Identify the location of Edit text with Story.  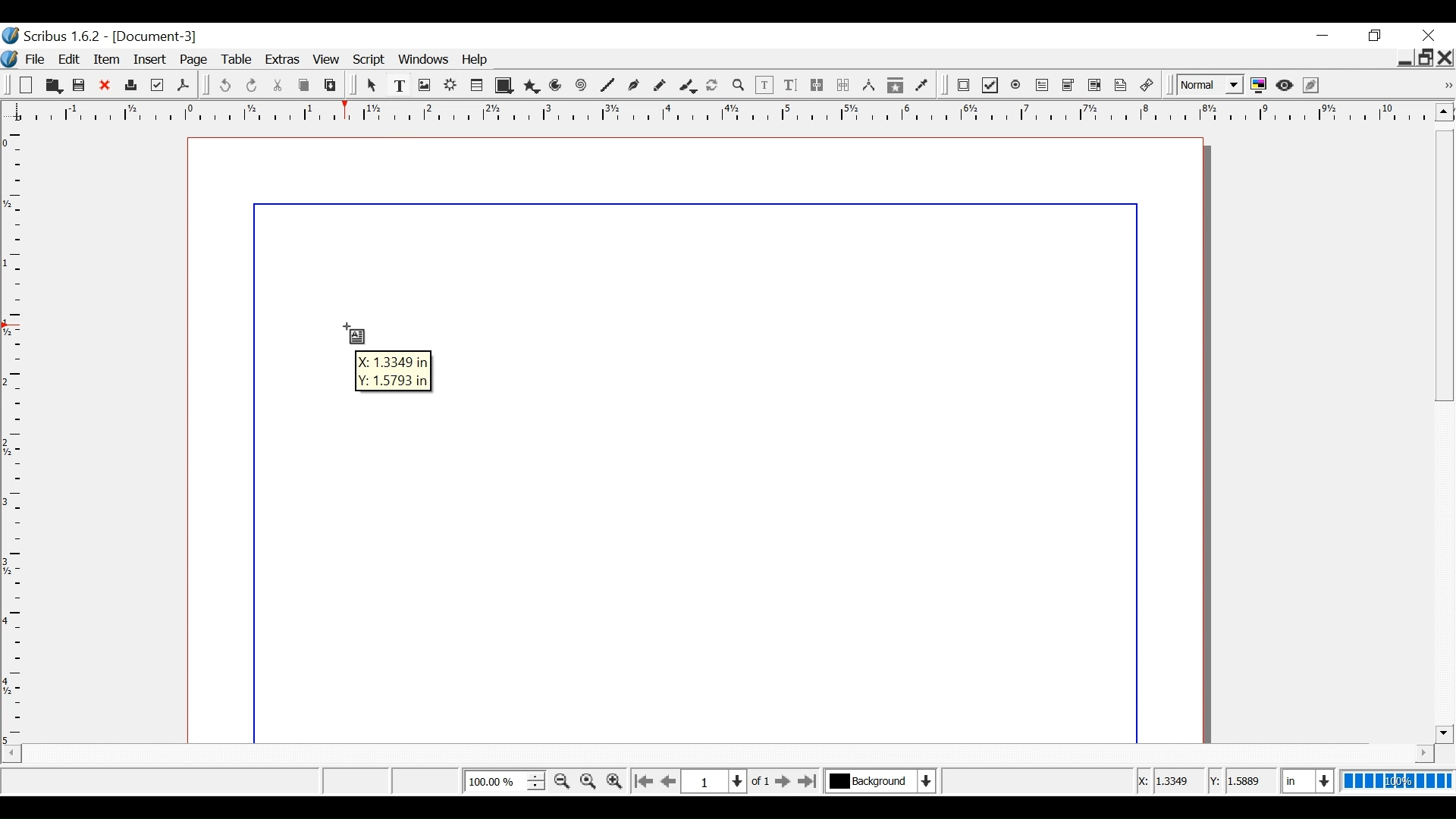
(790, 86).